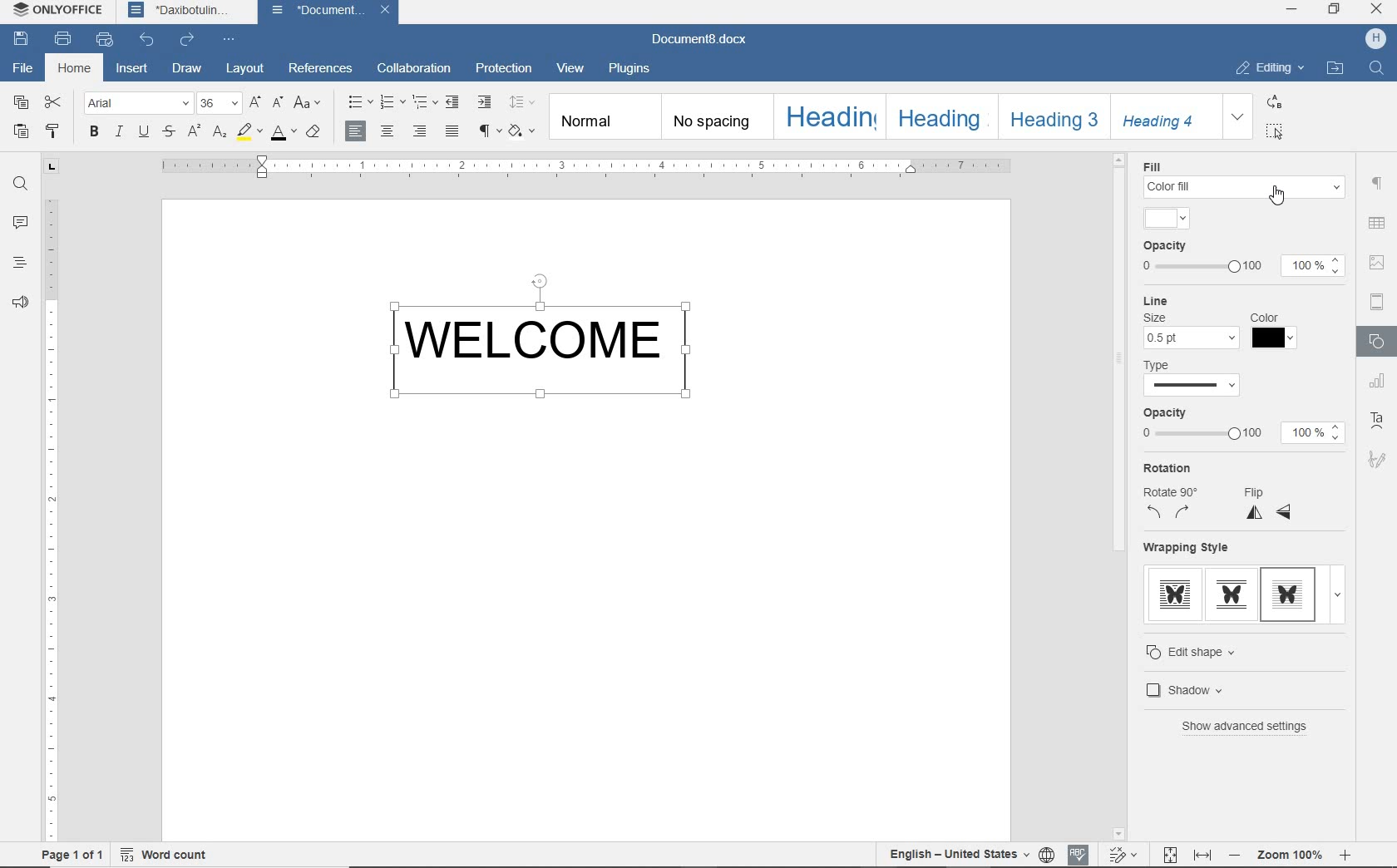  I want to click on welcome, so click(549, 343).